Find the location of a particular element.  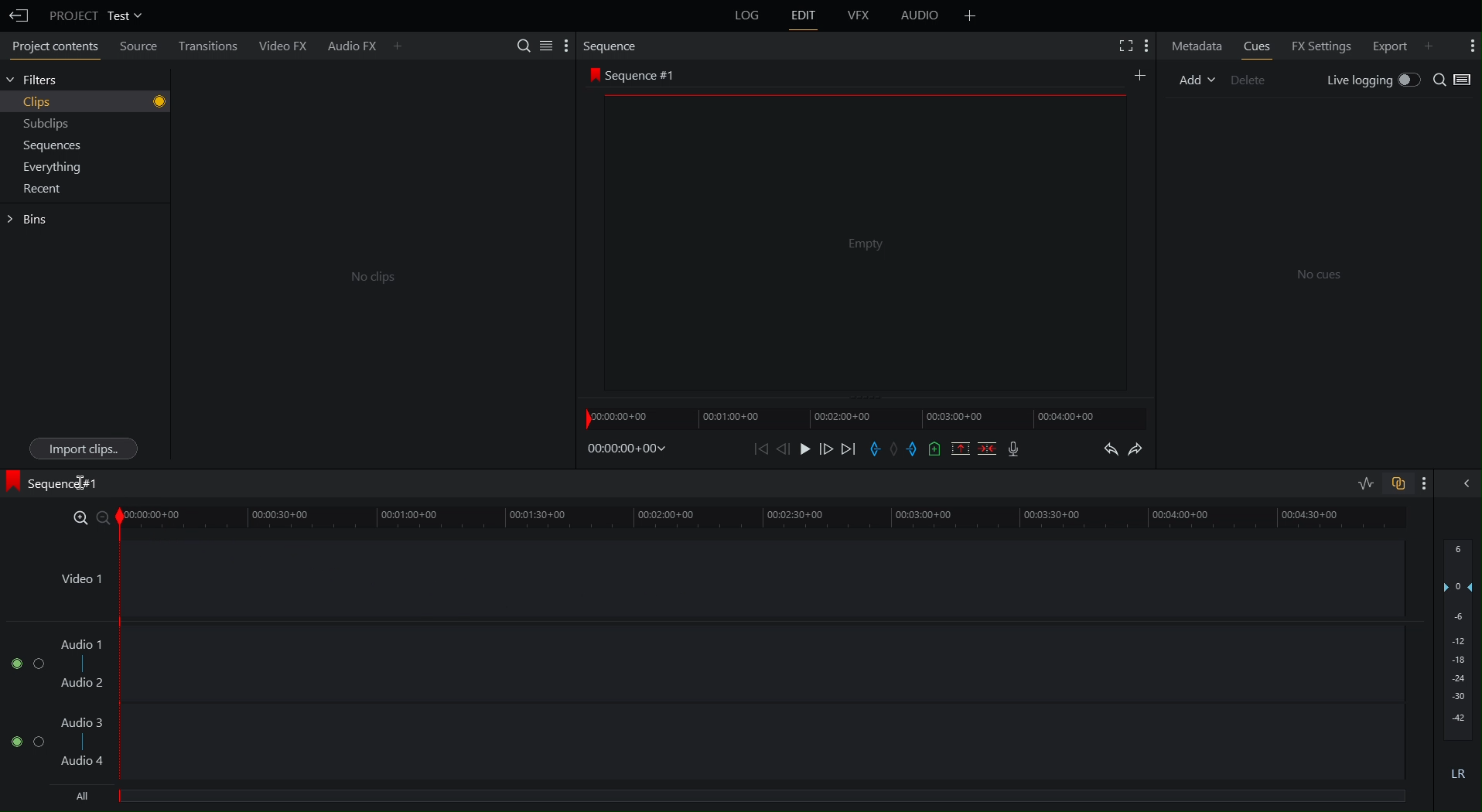

Toggle audio levels editing is located at coordinates (1361, 482).